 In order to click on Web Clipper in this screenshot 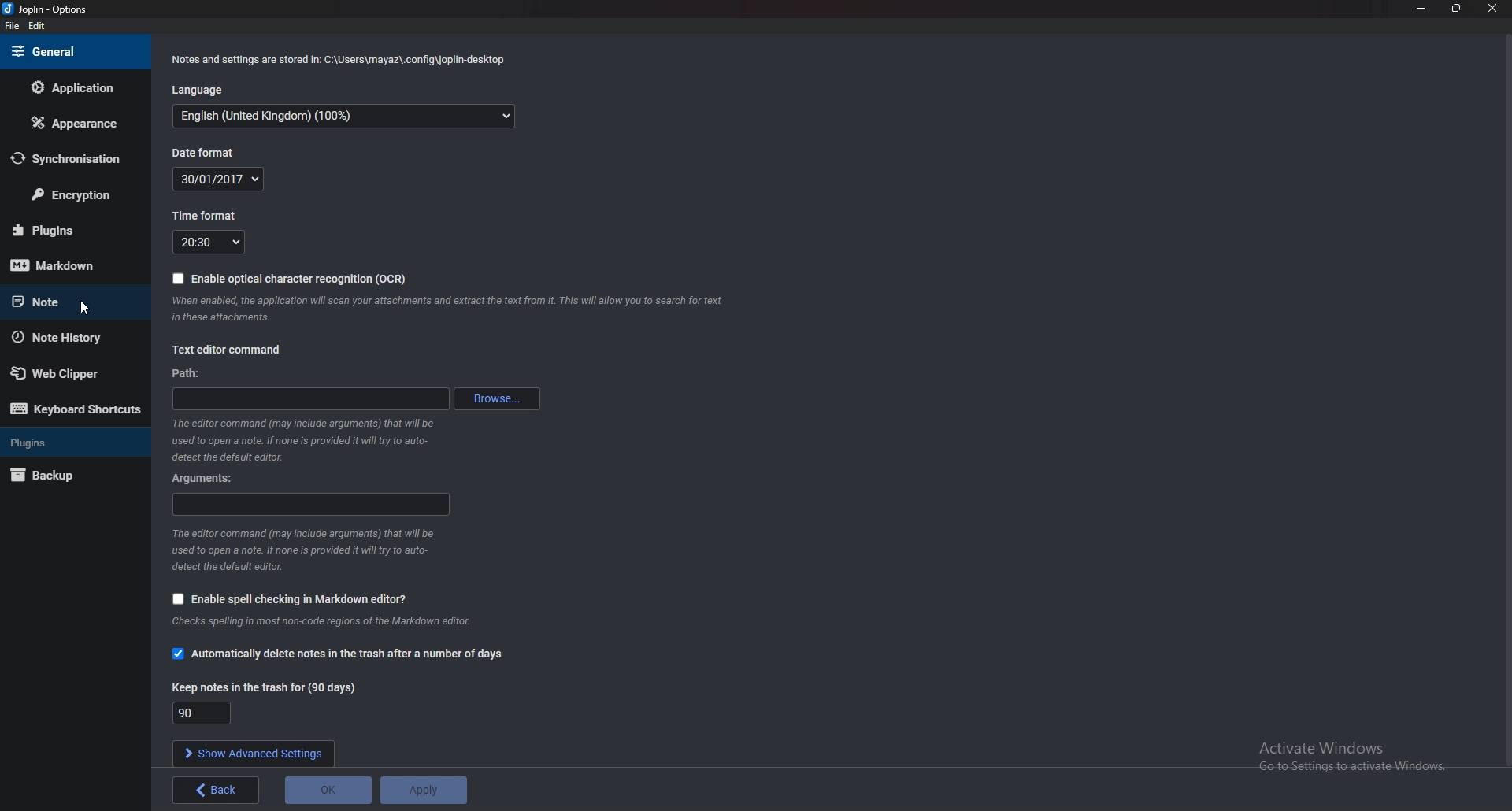, I will do `click(66, 372)`.